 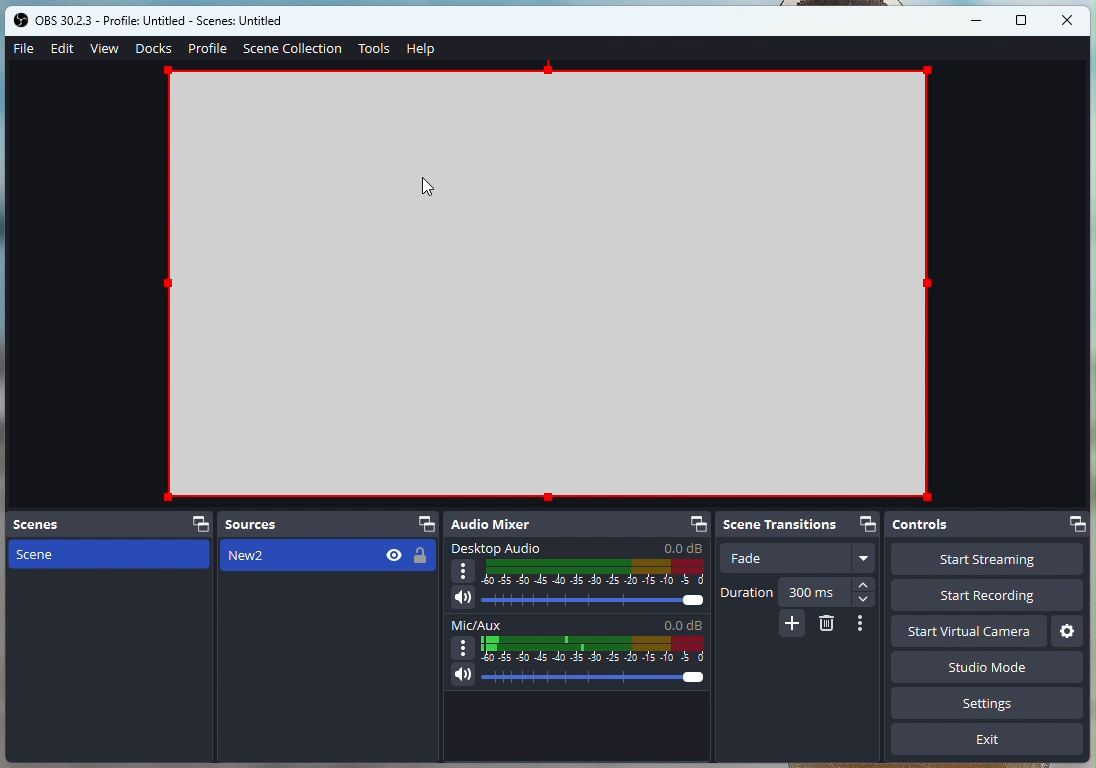 I want to click on Profile, so click(x=207, y=48).